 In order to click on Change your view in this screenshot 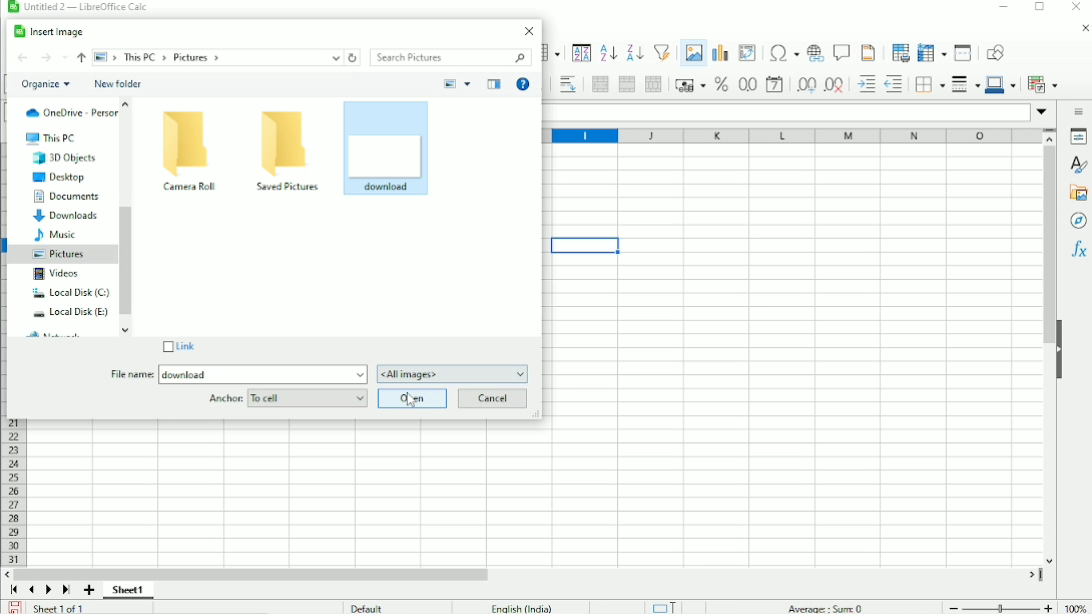, I will do `click(449, 83)`.